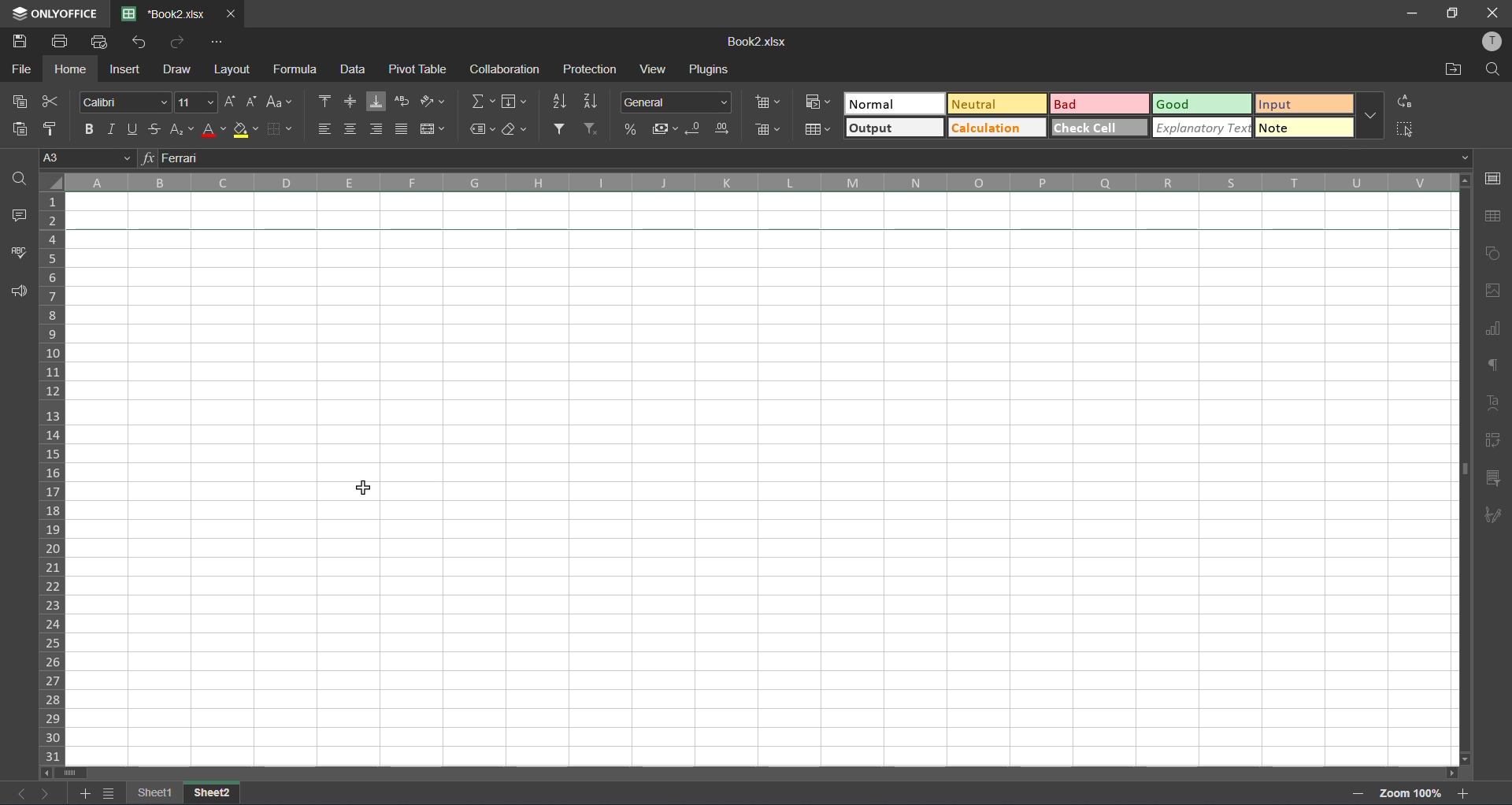  What do you see at coordinates (87, 160) in the screenshot?
I see `cell address` at bounding box center [87, 160].